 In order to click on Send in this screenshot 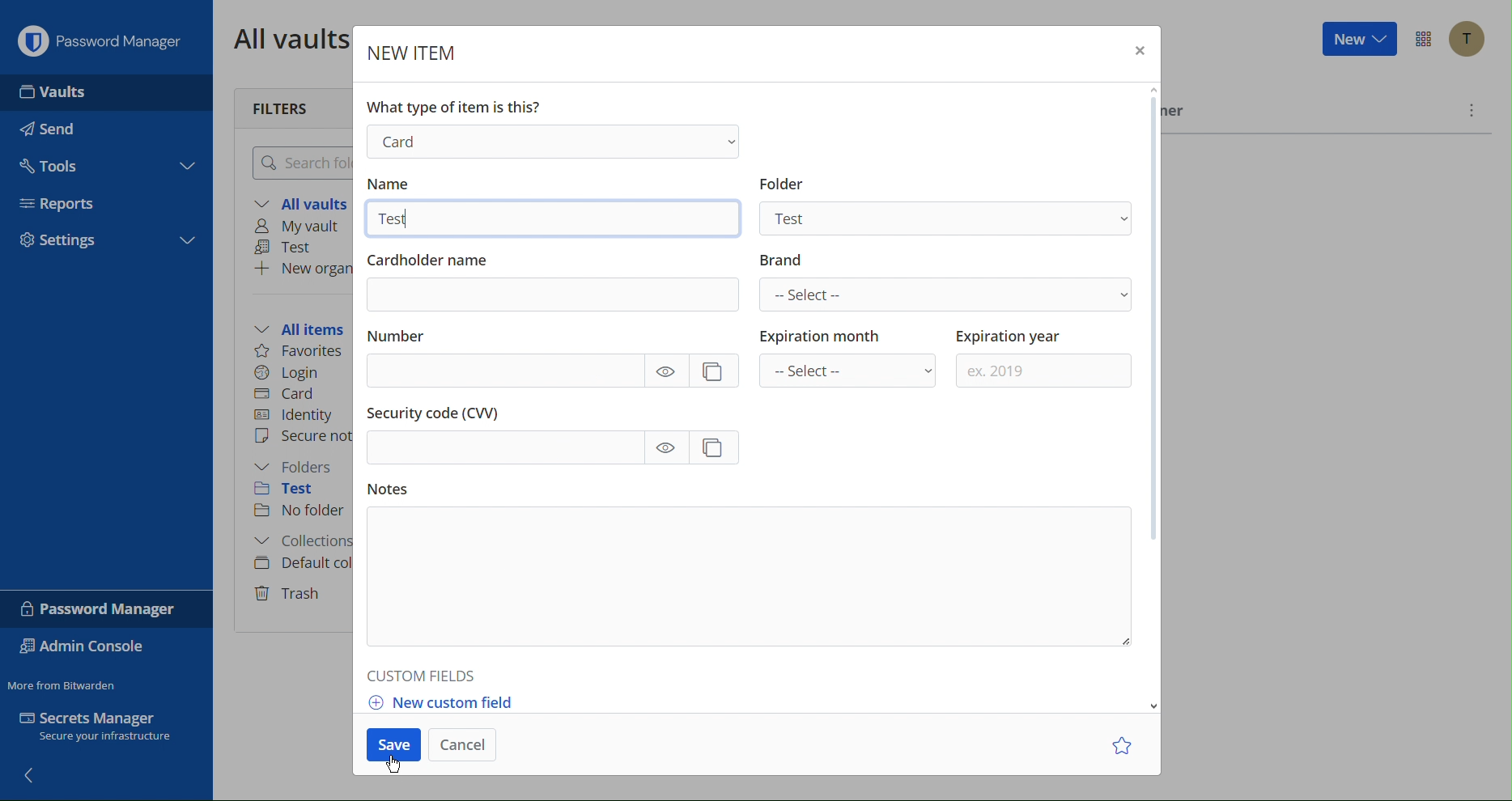, I will do `click(54, 131)`.